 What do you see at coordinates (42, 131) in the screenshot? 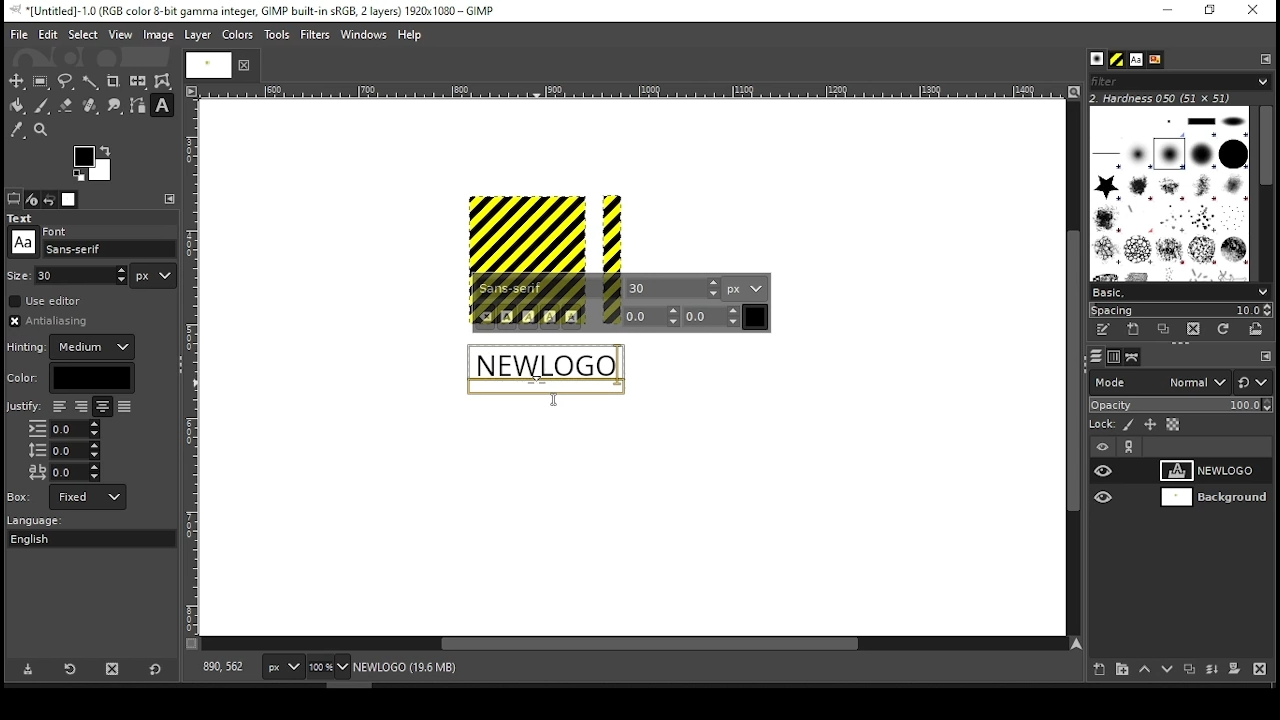
I see `zoom tool` at bounding box center [42, 131].